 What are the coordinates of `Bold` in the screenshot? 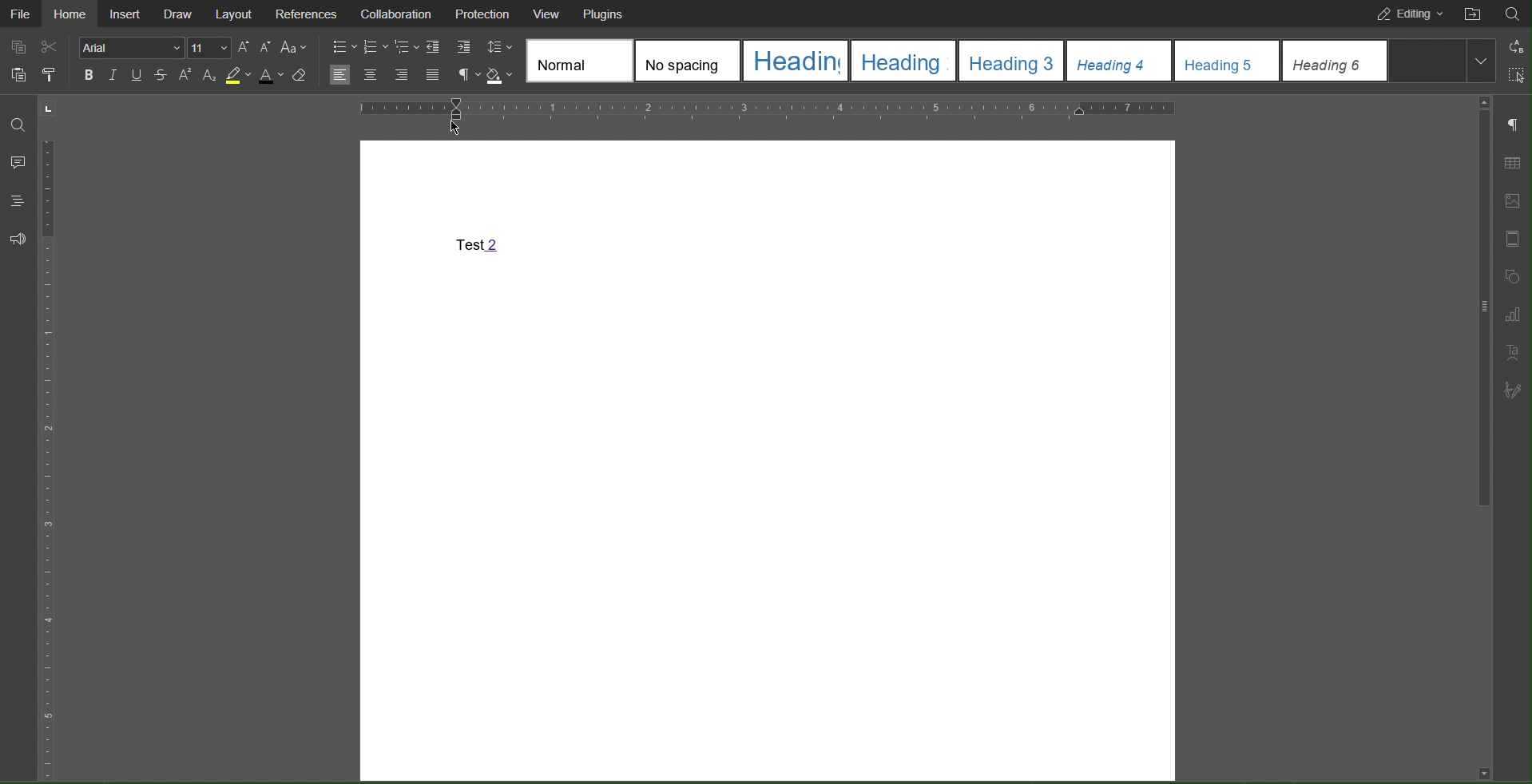 It's located at (89, 75).